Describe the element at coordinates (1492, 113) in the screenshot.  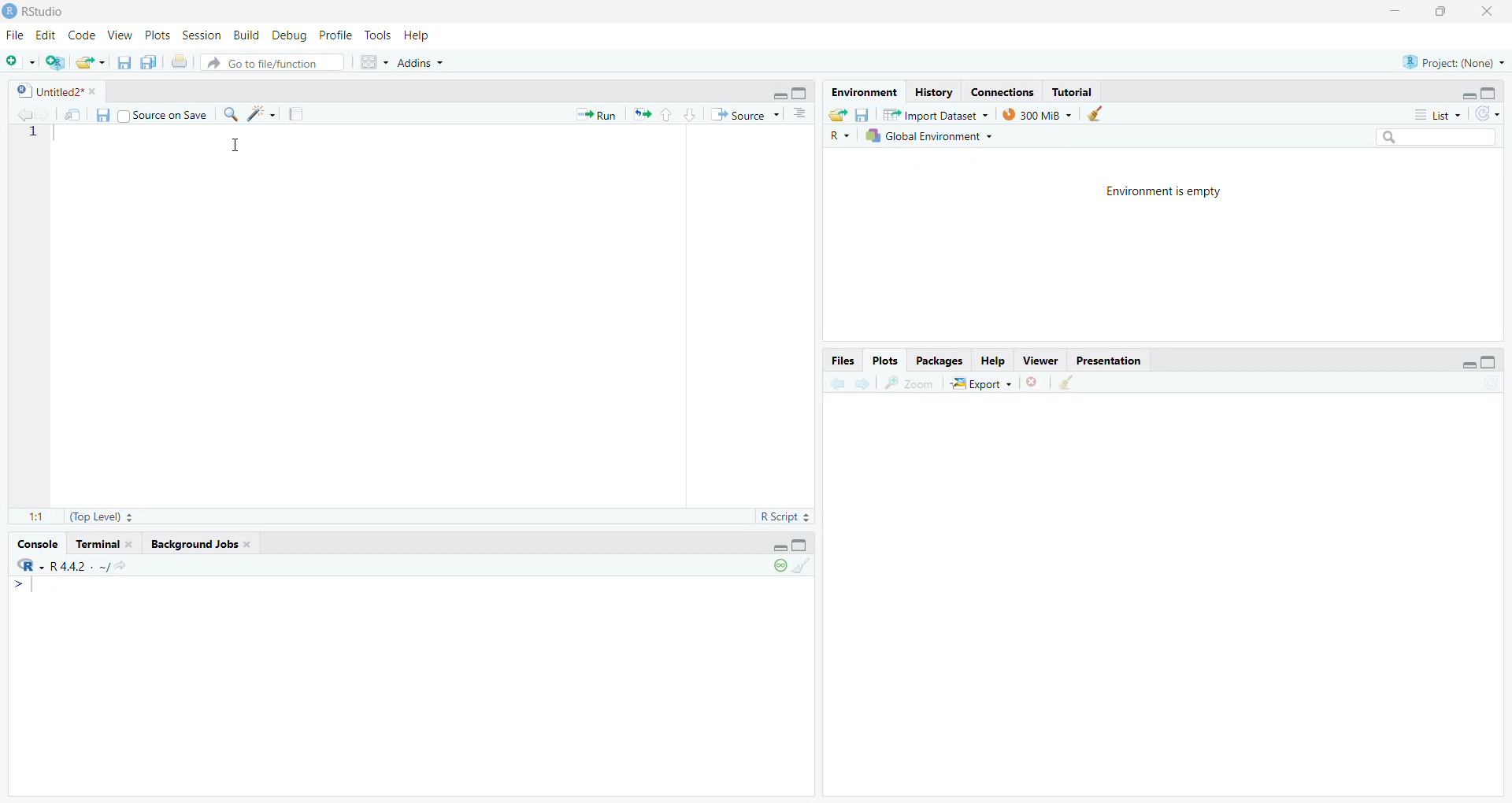
I see `refresh` at that location.